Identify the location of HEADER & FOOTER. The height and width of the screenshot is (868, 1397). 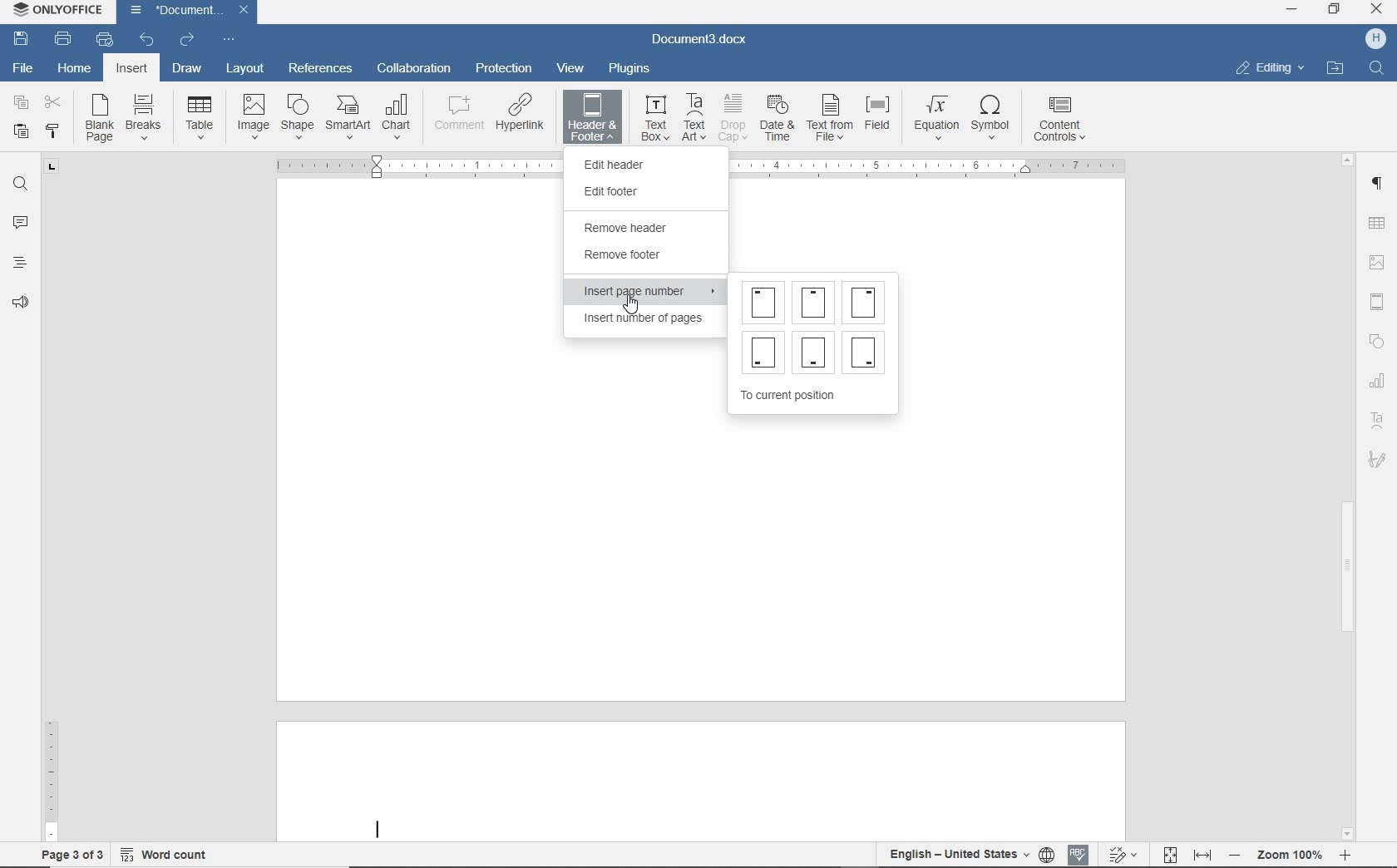
(1380, 303).